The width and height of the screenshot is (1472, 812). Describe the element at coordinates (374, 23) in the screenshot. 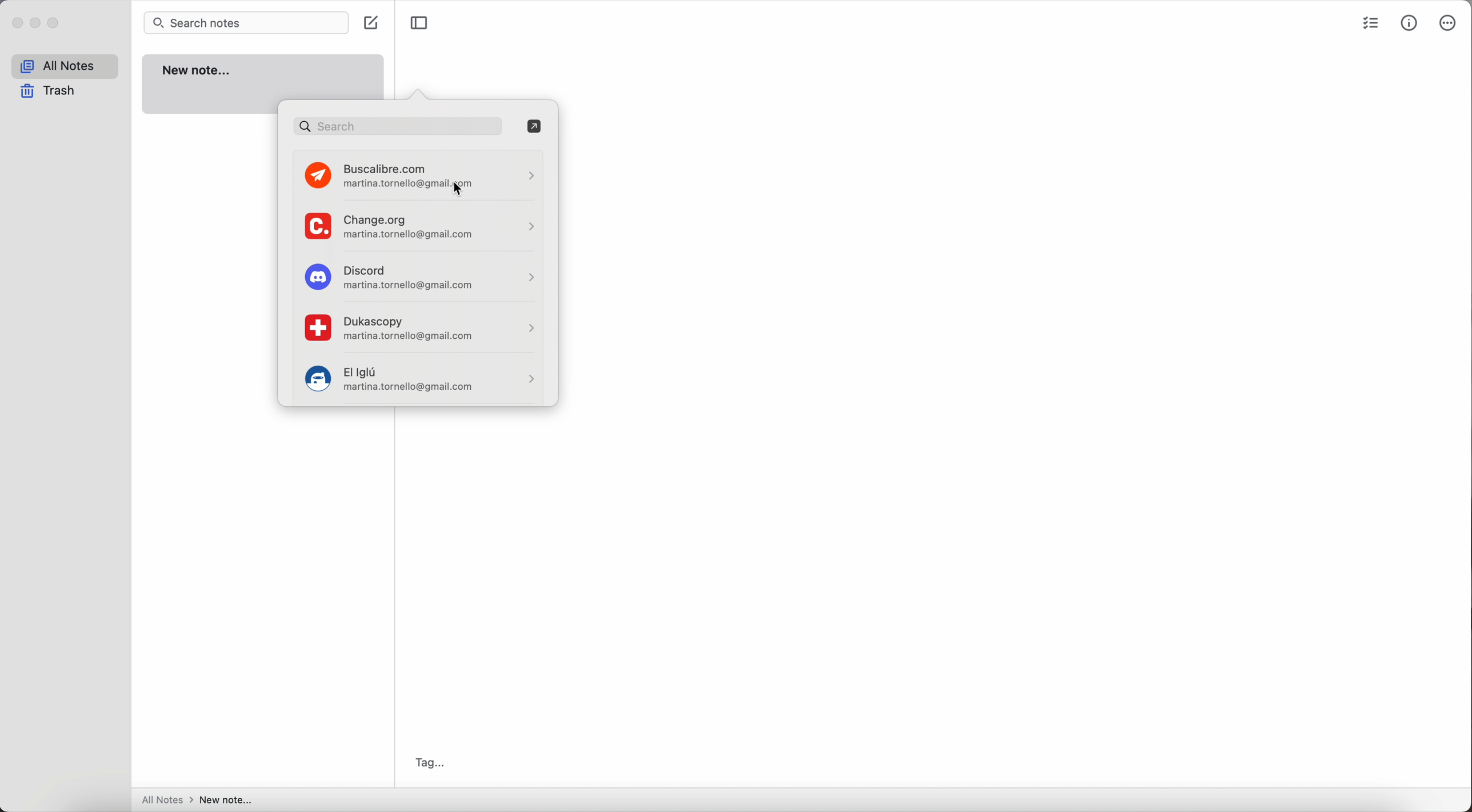

I see `create note` at that location.